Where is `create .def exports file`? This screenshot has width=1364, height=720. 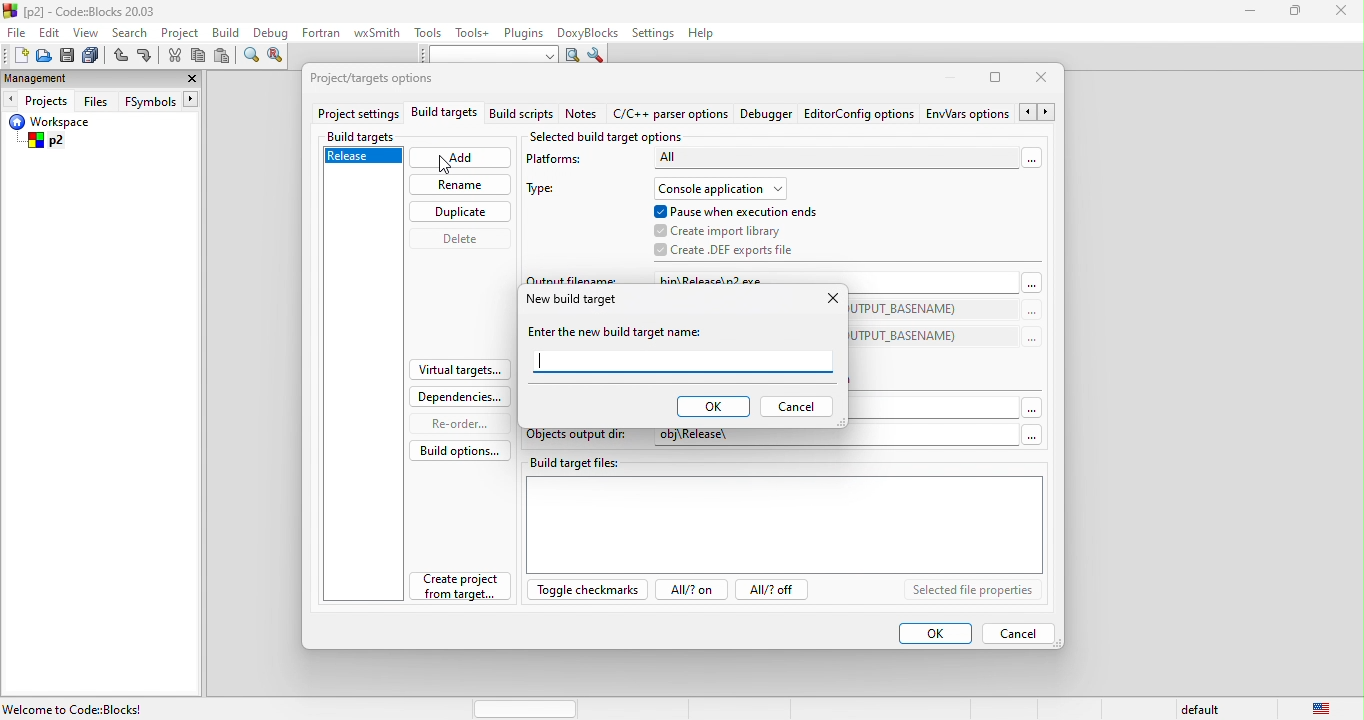 create .def exports file is located at coordinates (735, 251).